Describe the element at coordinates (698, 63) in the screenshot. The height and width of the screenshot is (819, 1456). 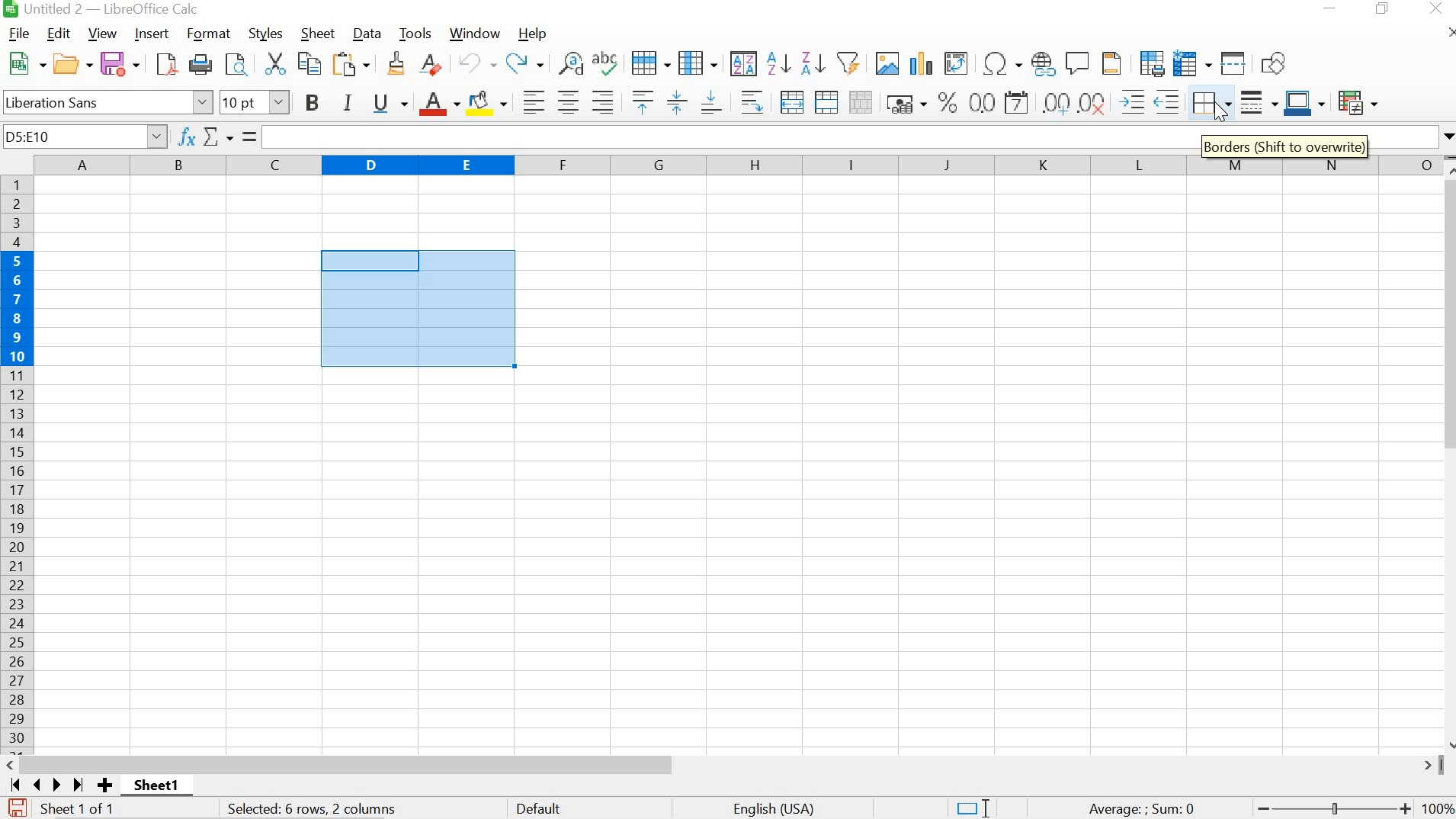
I see `COLUMN` at that location.